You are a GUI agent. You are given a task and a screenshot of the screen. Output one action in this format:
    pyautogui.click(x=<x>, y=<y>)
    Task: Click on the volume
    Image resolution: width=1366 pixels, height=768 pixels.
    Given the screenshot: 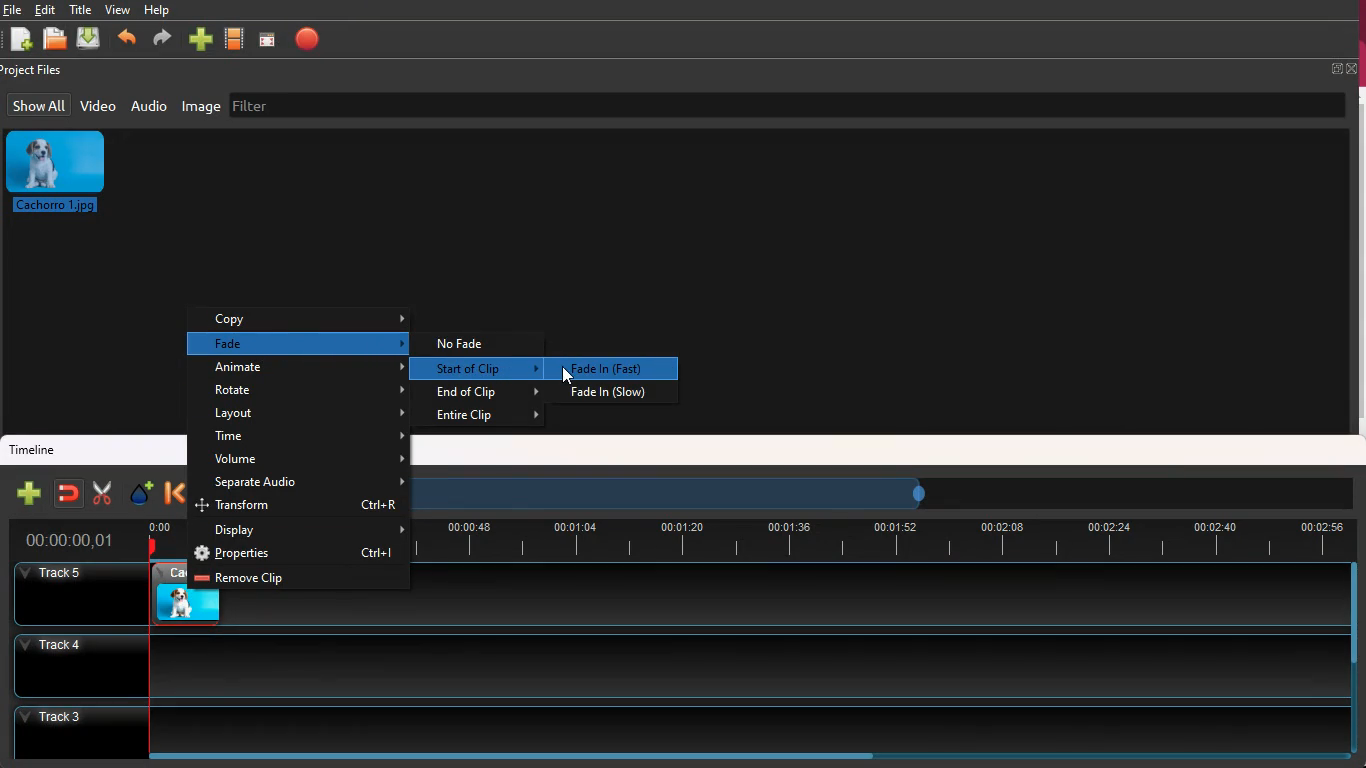 What is the action you would take?
    pyautogui.click(x=307, y=460)
    